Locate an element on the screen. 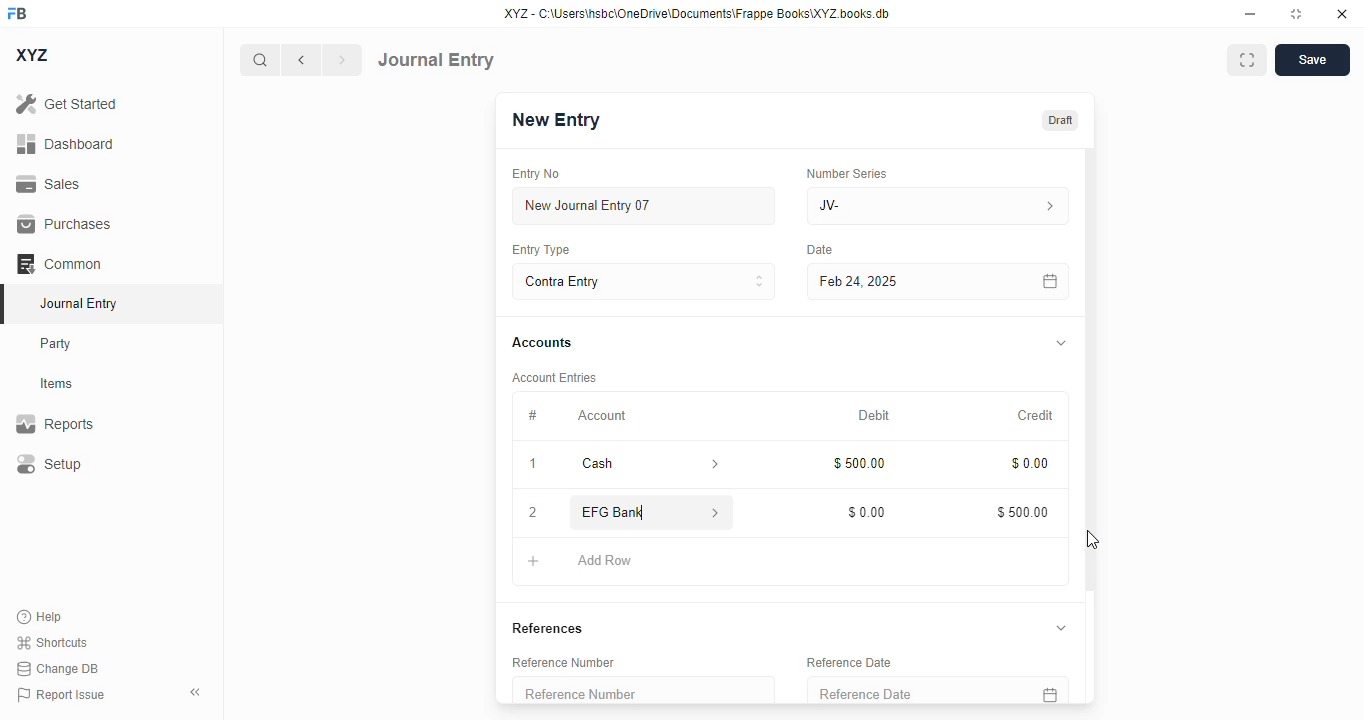 This screenshot has height=720, width=1364. cursor - mouse down is located at coordinates (1092, 540).